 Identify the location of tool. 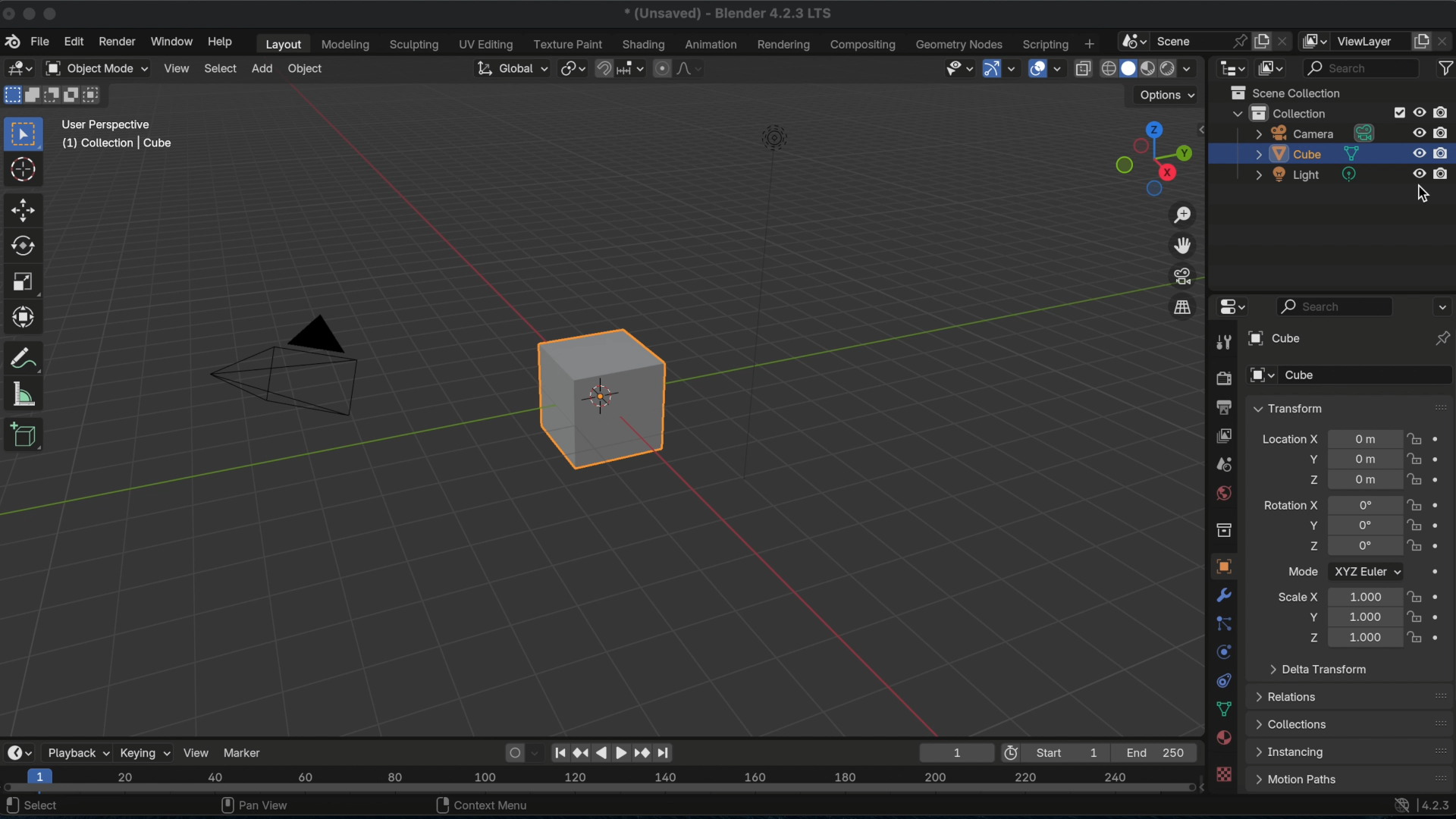
(1221, 342).